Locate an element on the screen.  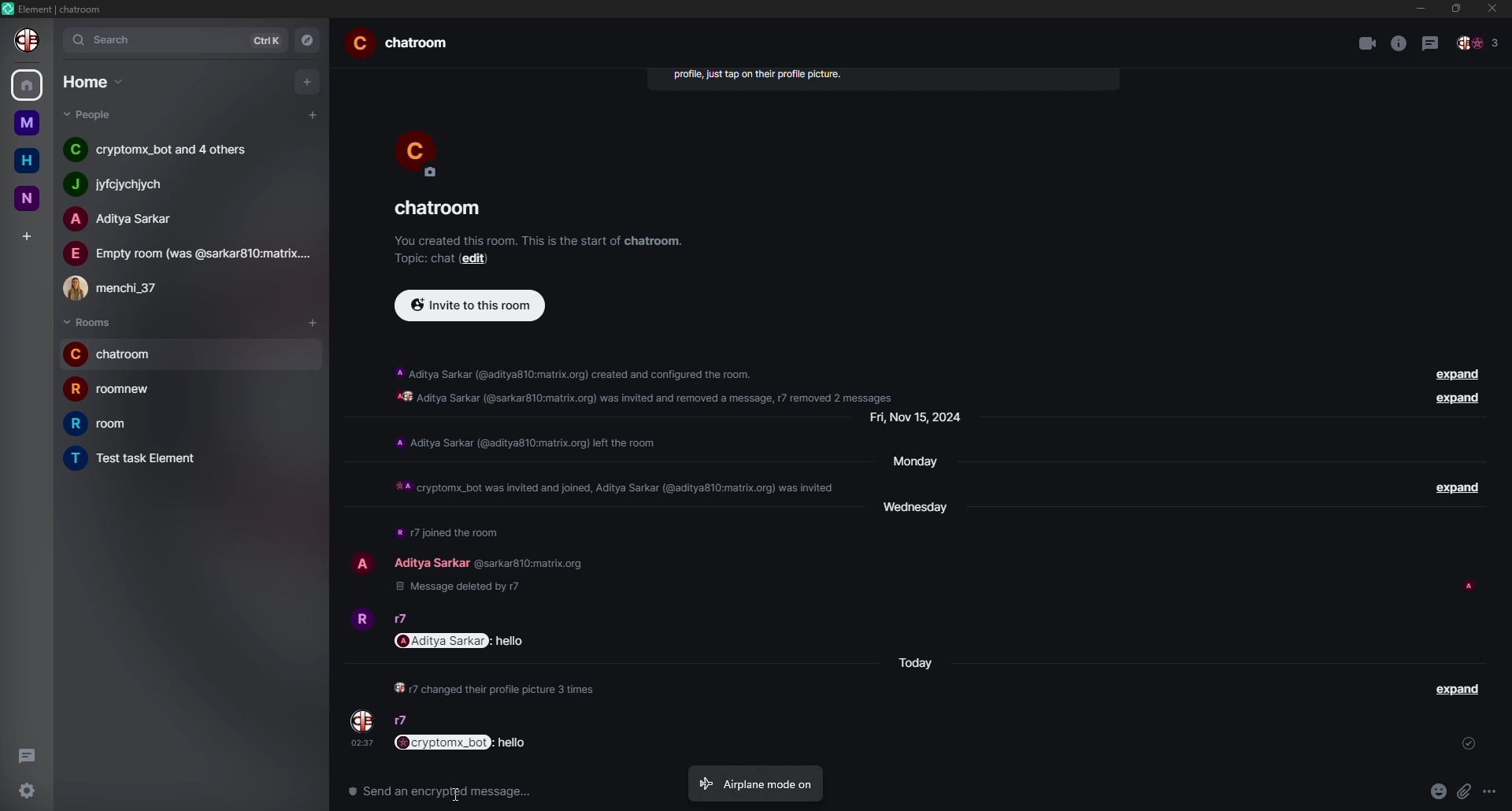
day is located at coordinates (921, 420).